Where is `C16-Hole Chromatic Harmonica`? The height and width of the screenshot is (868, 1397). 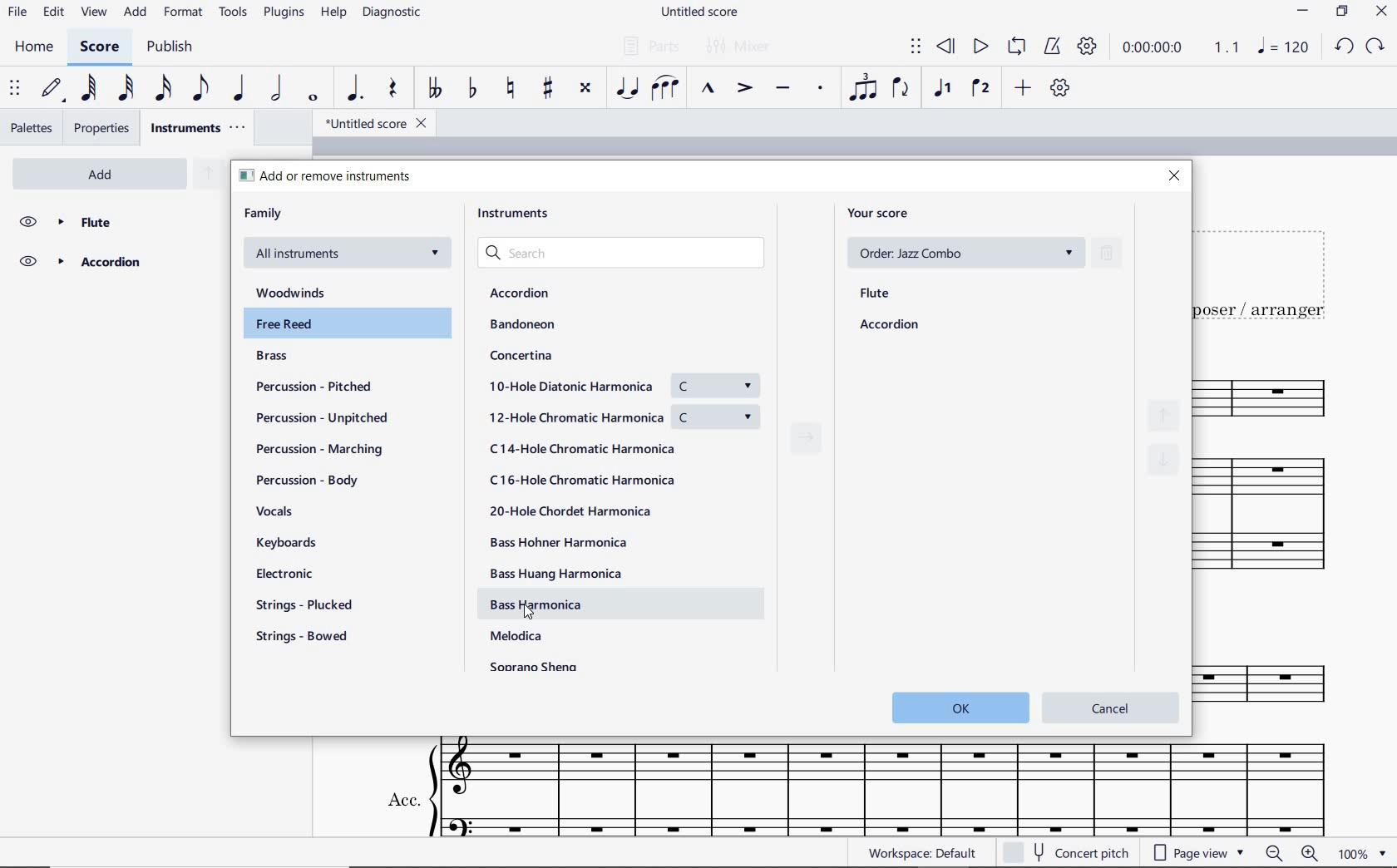 C16-Hole Chromatic Harmonica is located at coordinates (583, 479).